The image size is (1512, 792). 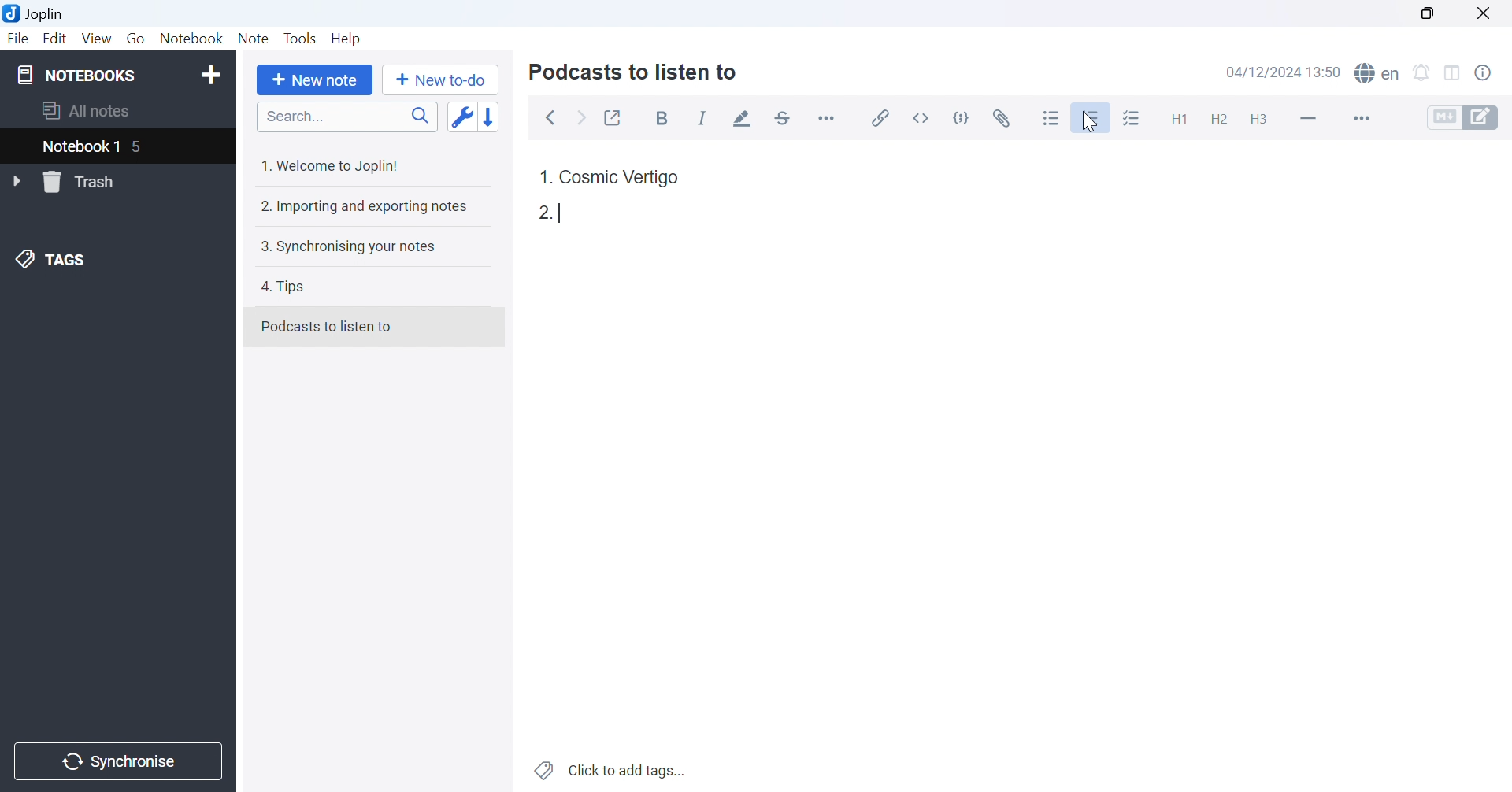 What do you see at coordinates (348, 249) in the screenshot?
I see `3. Synchronising your notes` at bounding box center [348, 249].